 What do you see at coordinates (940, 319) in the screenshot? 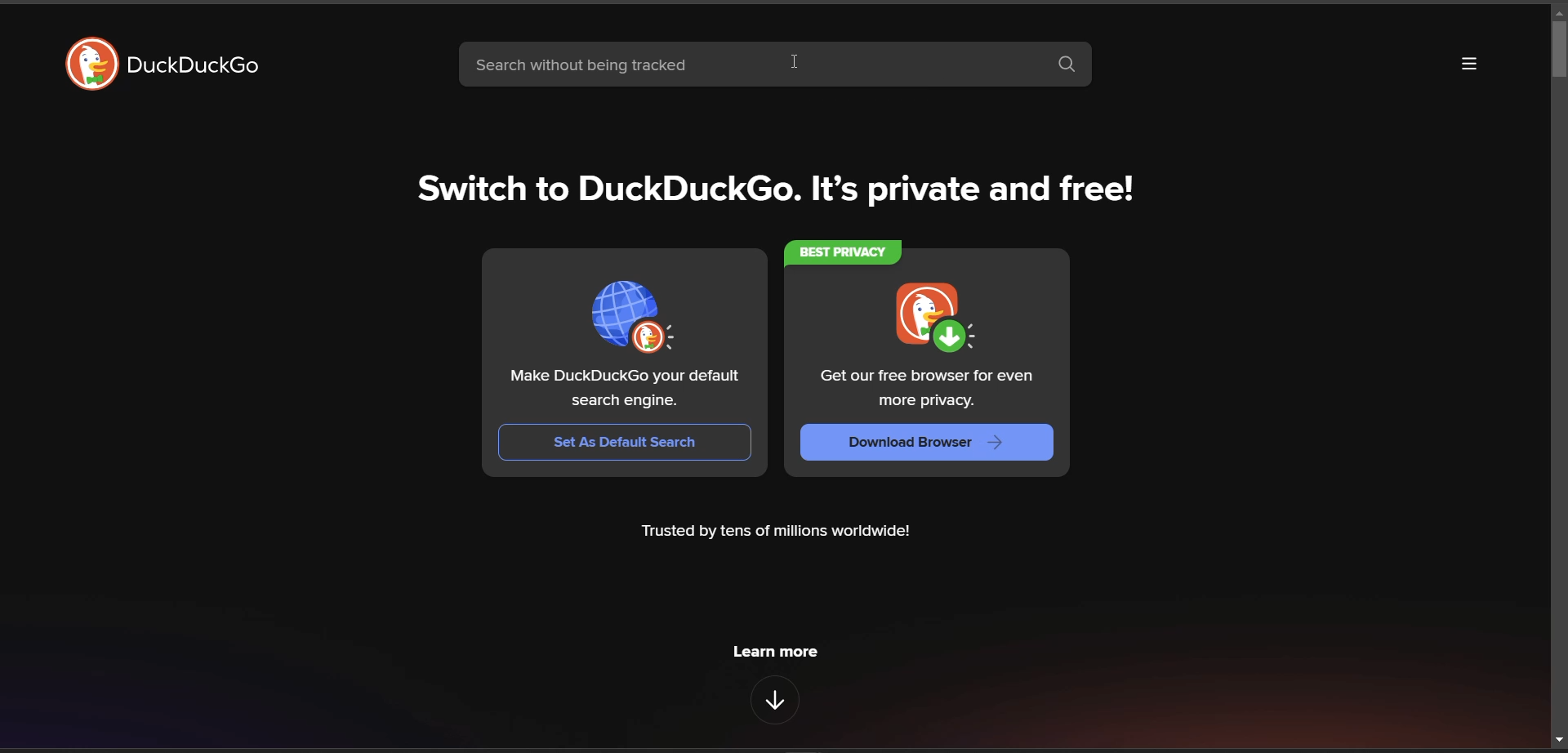
I see `icon` at bounding box center [940, 319].